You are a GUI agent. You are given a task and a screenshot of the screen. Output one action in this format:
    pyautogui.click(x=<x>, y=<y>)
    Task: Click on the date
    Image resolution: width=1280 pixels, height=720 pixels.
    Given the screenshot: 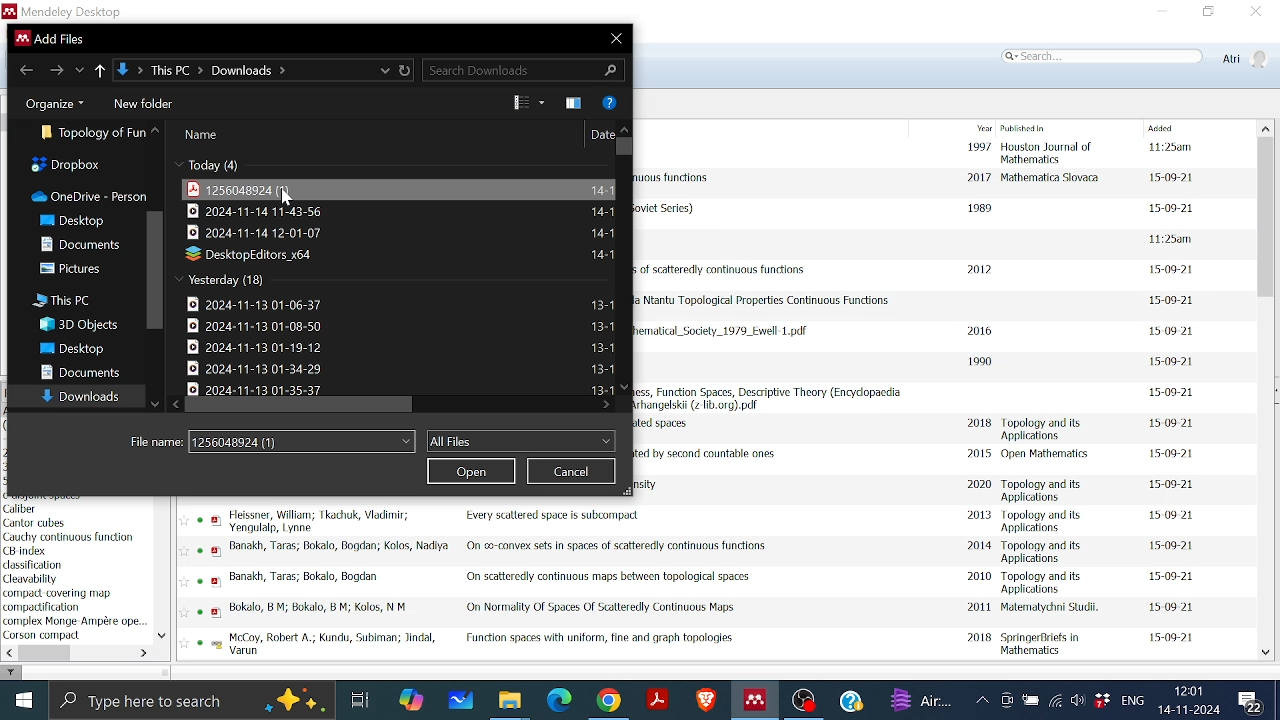 What is the action you would take?
    pyautogui.click(x=1167, y=636)
    